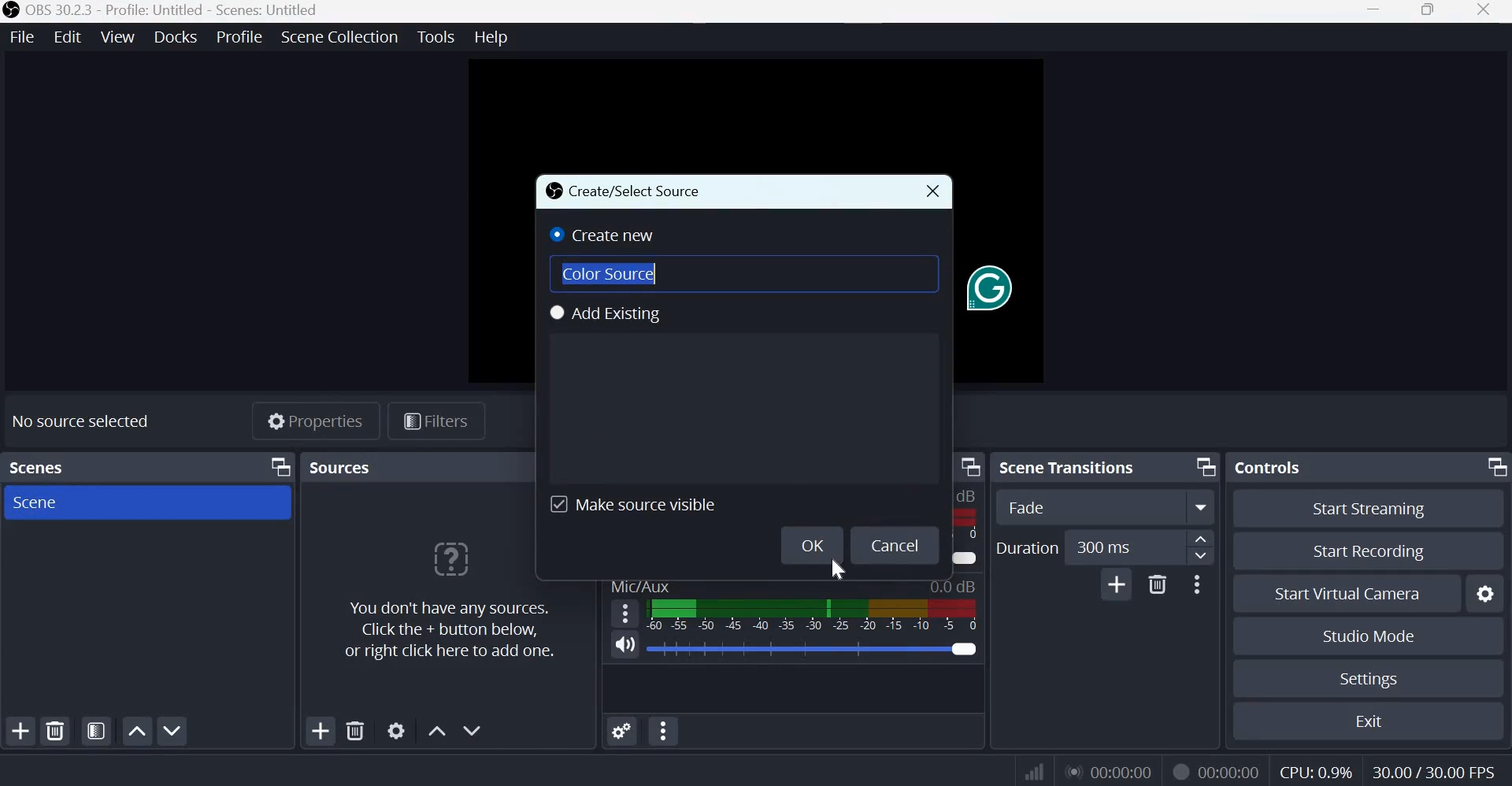 The width and height of the screenshot is (1512, 786). What do you see at coordinates (1272, 465) in the screenshot?
I see `Controls` at bounding box center [1272, 465].